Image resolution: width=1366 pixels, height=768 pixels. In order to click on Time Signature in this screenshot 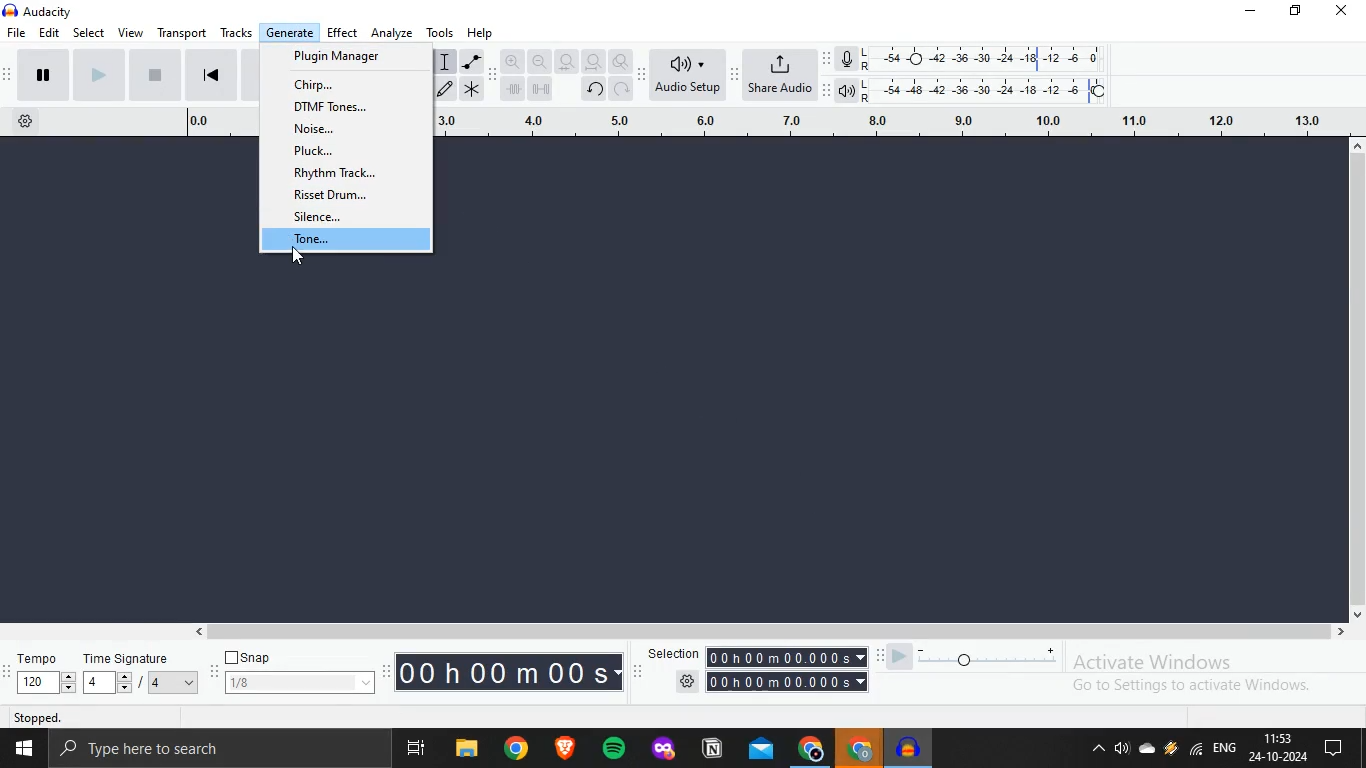, I will do `click(143, 673)`.